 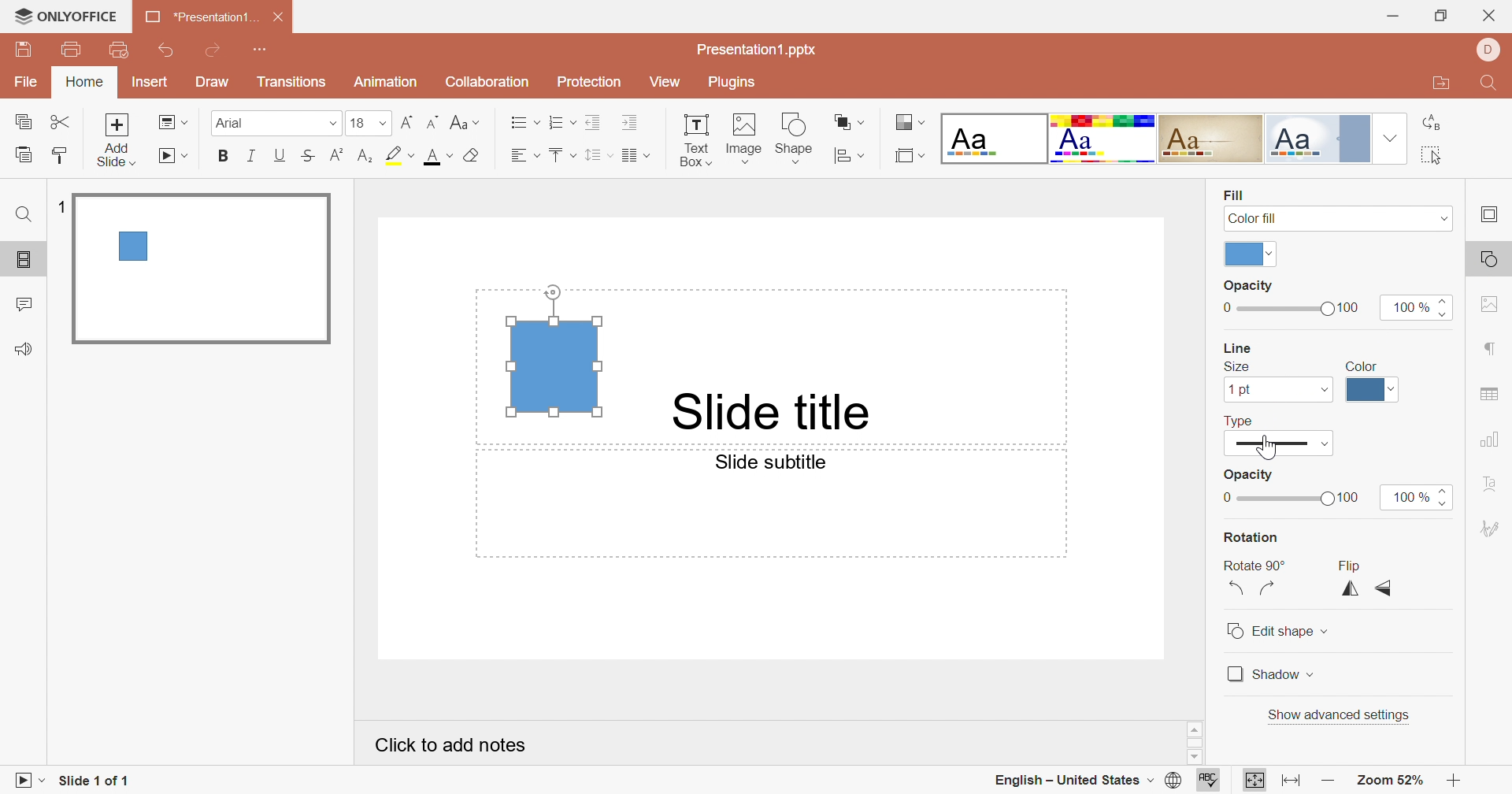 I want to click on Italic, so click(x=252, y=156).